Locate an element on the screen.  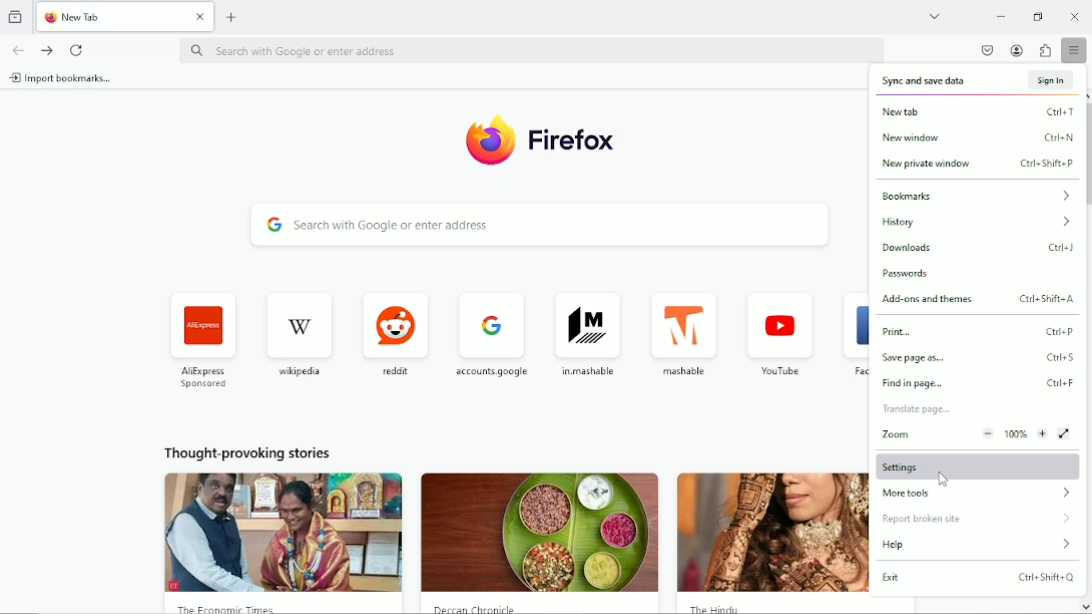
go back is located at coordinates (19, 50).